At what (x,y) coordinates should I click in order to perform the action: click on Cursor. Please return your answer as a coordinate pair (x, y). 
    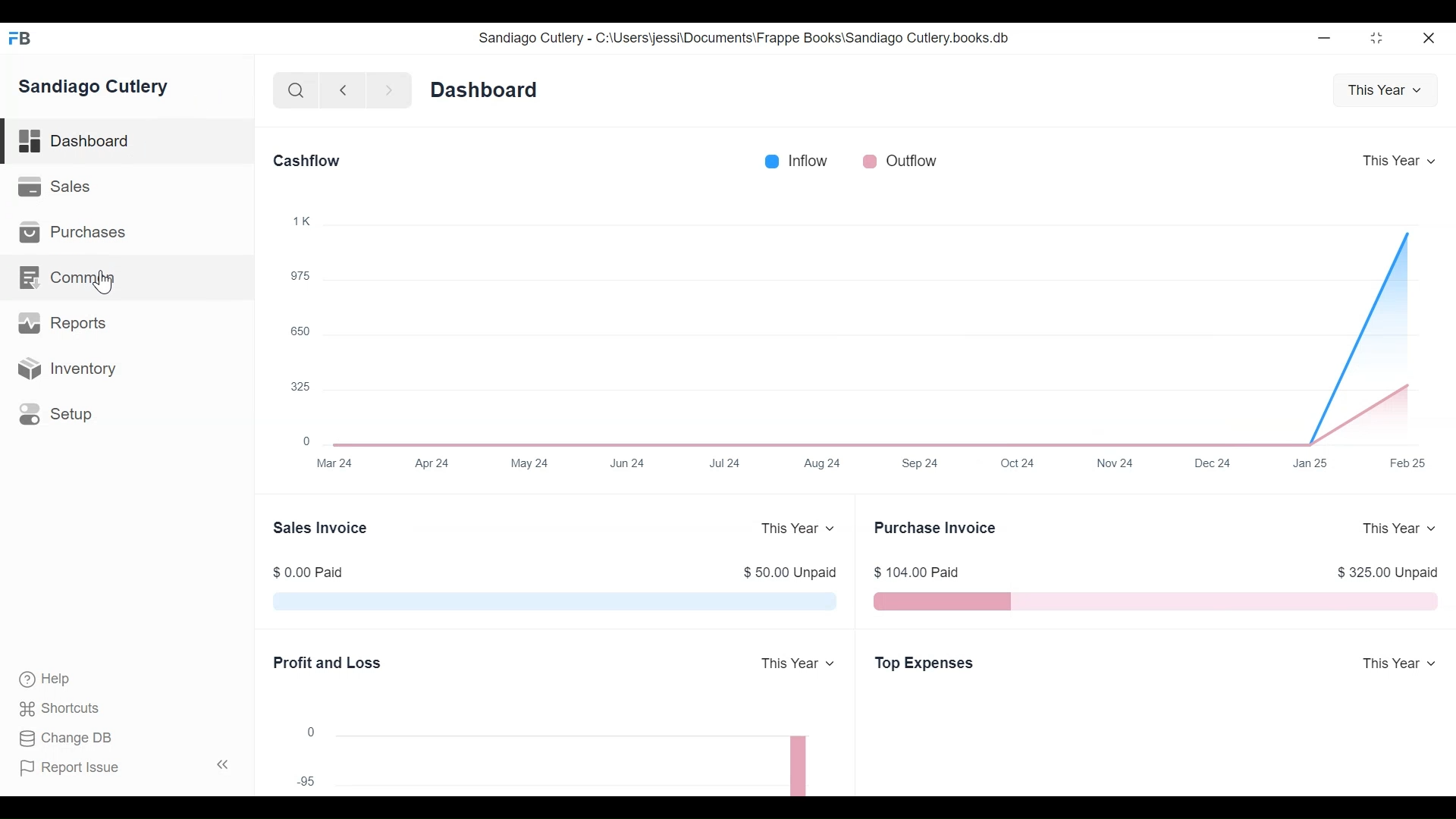
    Looking at the image, I should click on (102, 282).